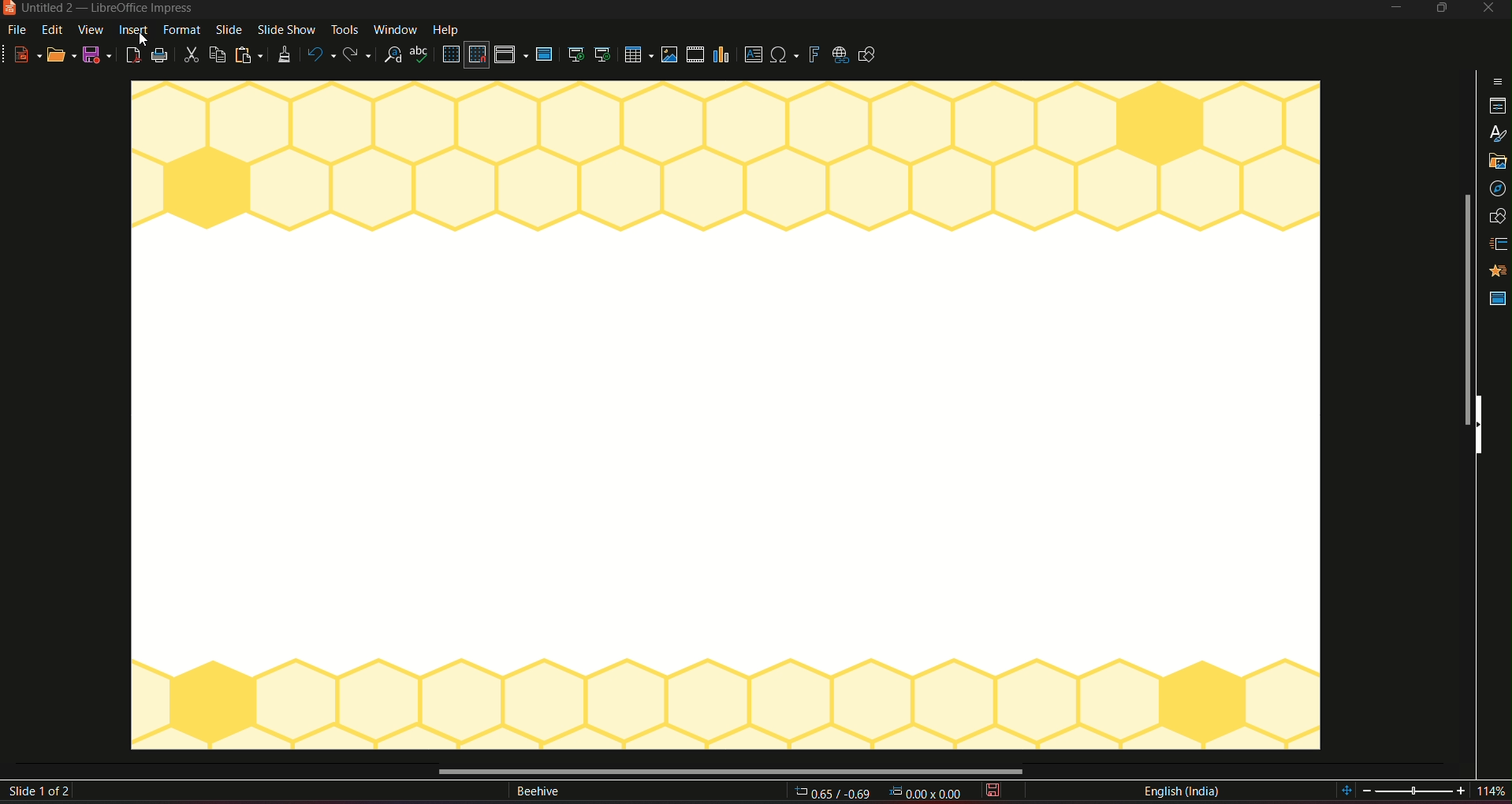 Image resolution: width=1512 pixels, height=804 pixels. Describe the element at coordinates (725, 419) in the screenshot. I see `workspace` at that location.